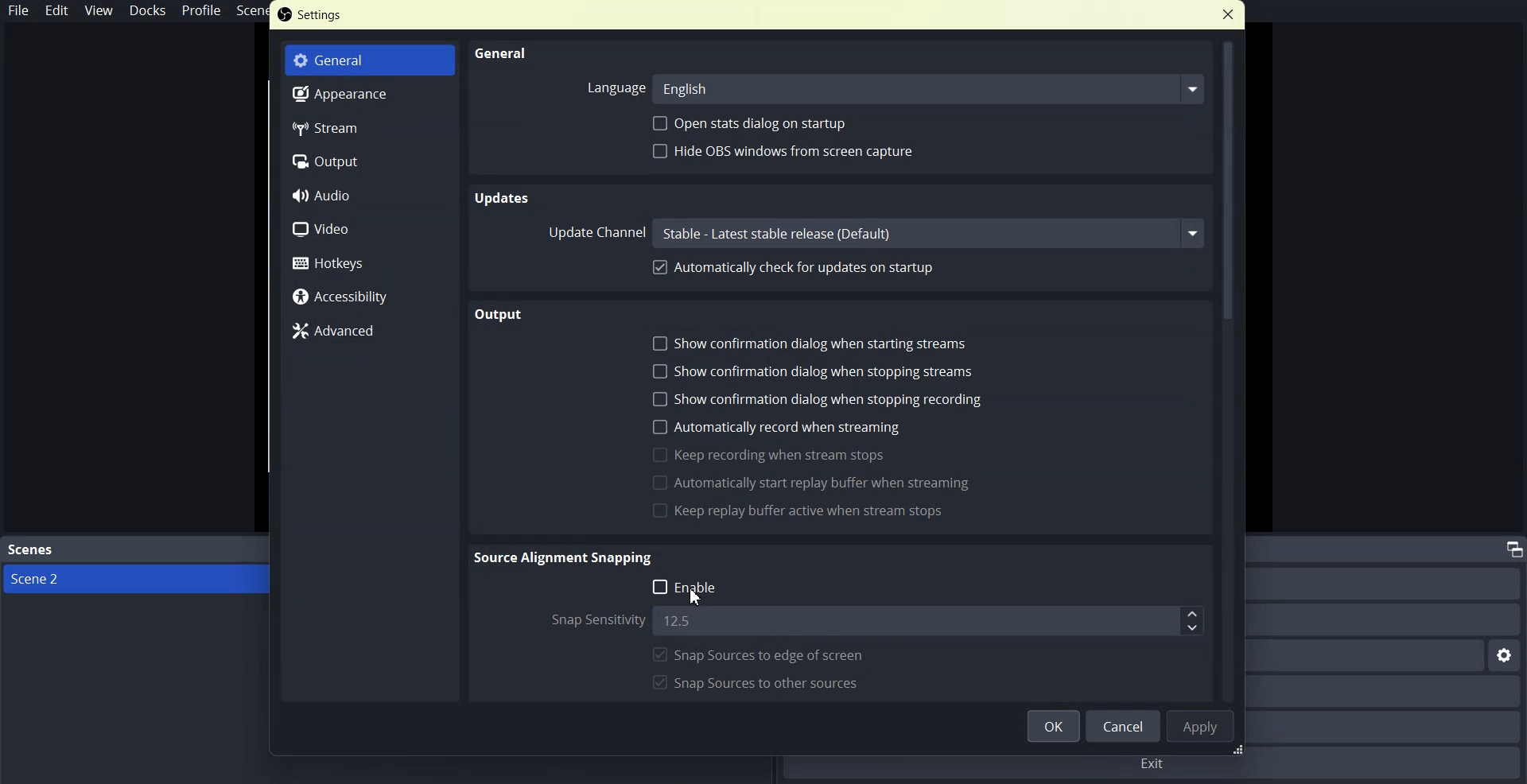 Image resolution: width=1527 pixels, height=784 pixels. Describe the element at coordinates (368, 330) in the screenshot. I see `Advanced` at that location.